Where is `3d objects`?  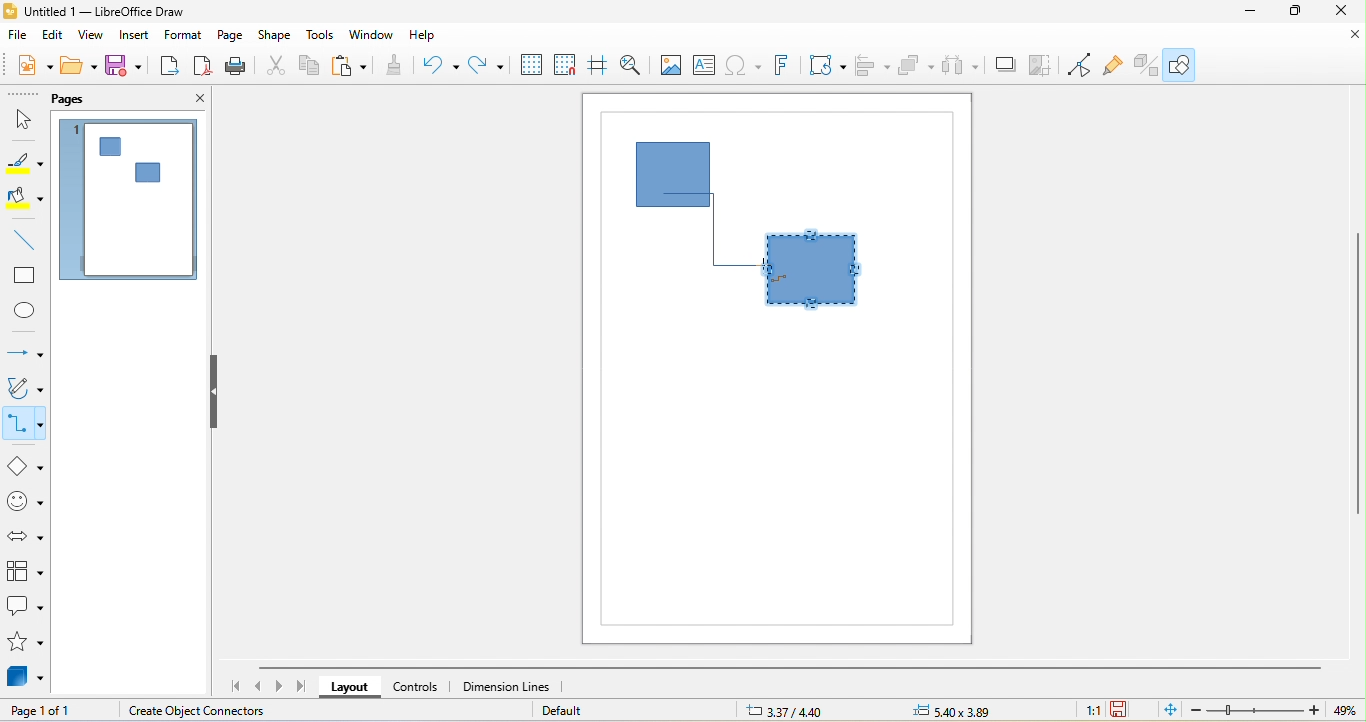
3d objects is located at coordinates (23, 677).